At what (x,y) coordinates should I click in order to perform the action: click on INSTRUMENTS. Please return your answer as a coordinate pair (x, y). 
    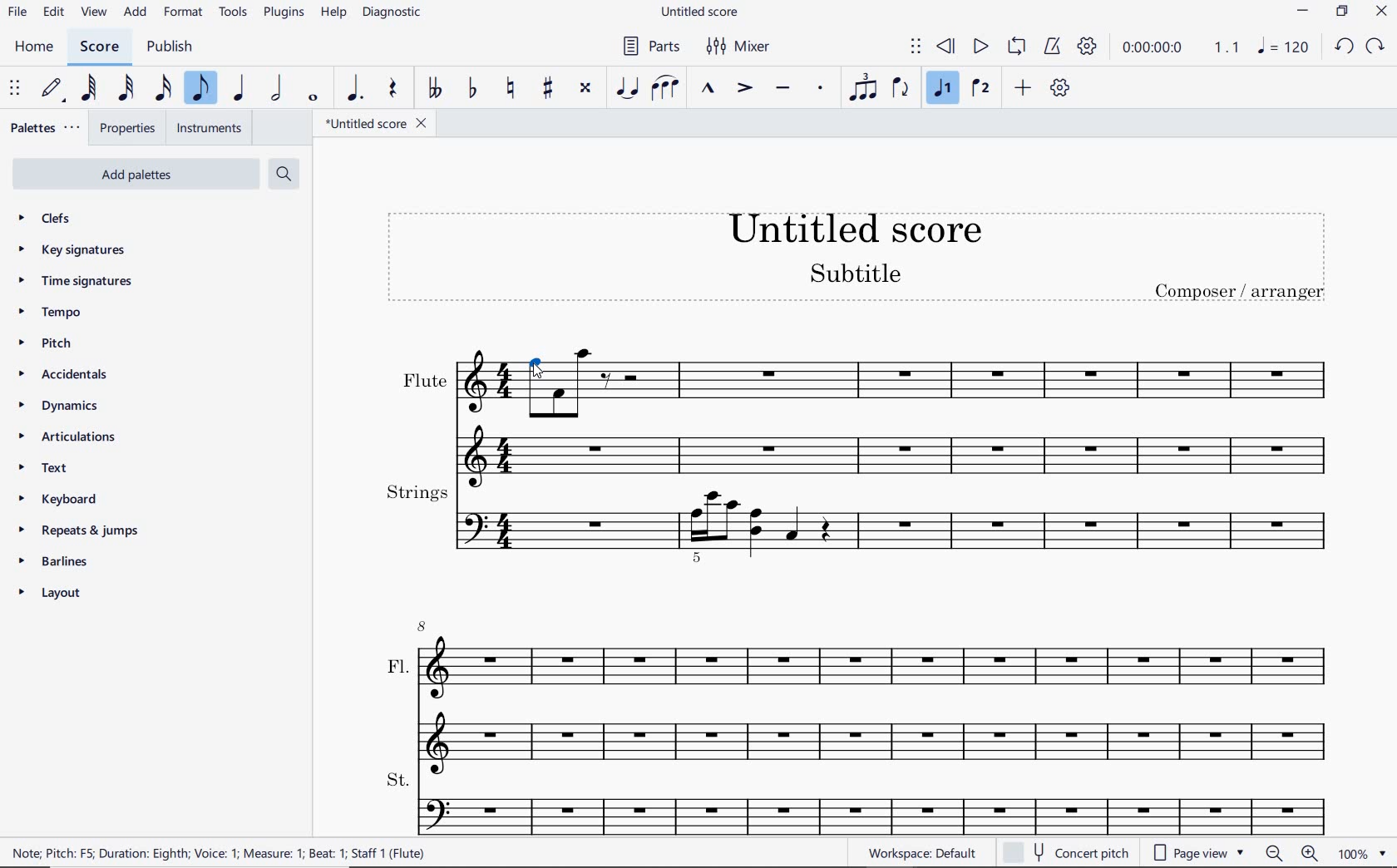
    Looking at the image, I should click on (210, 128).